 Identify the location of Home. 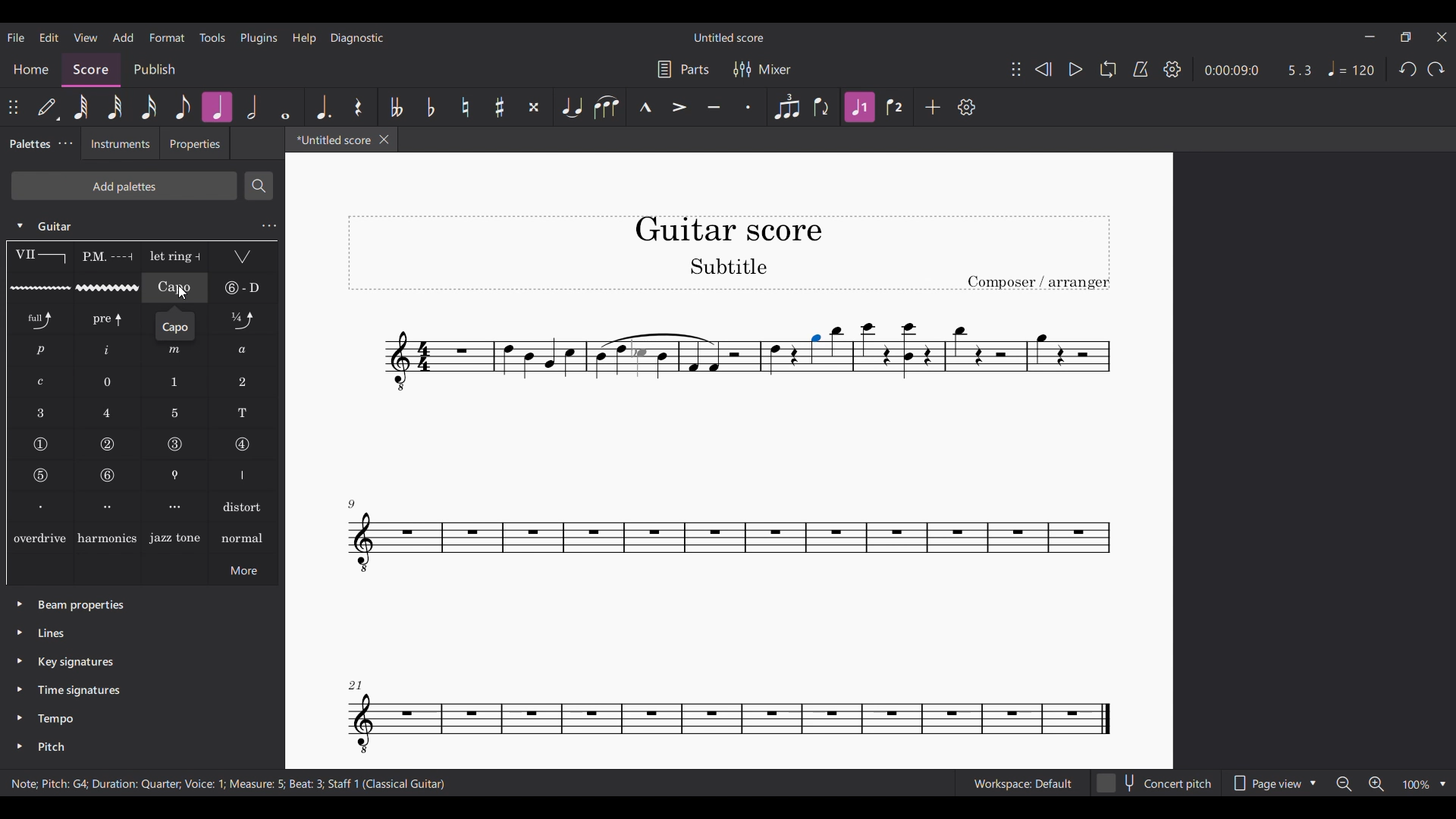
(30, 70).